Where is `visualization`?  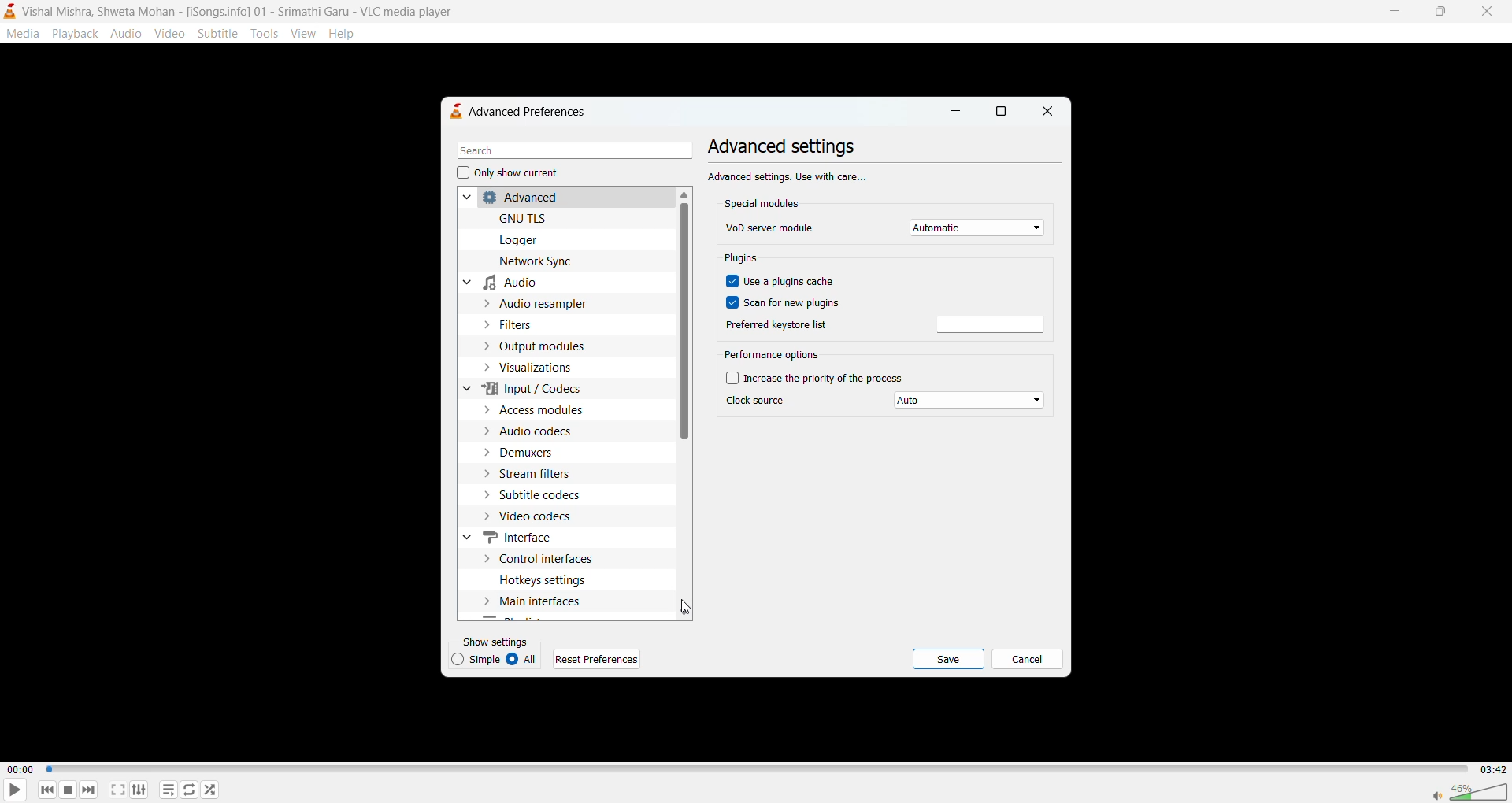 visualization is located at coordinates (539, 368).